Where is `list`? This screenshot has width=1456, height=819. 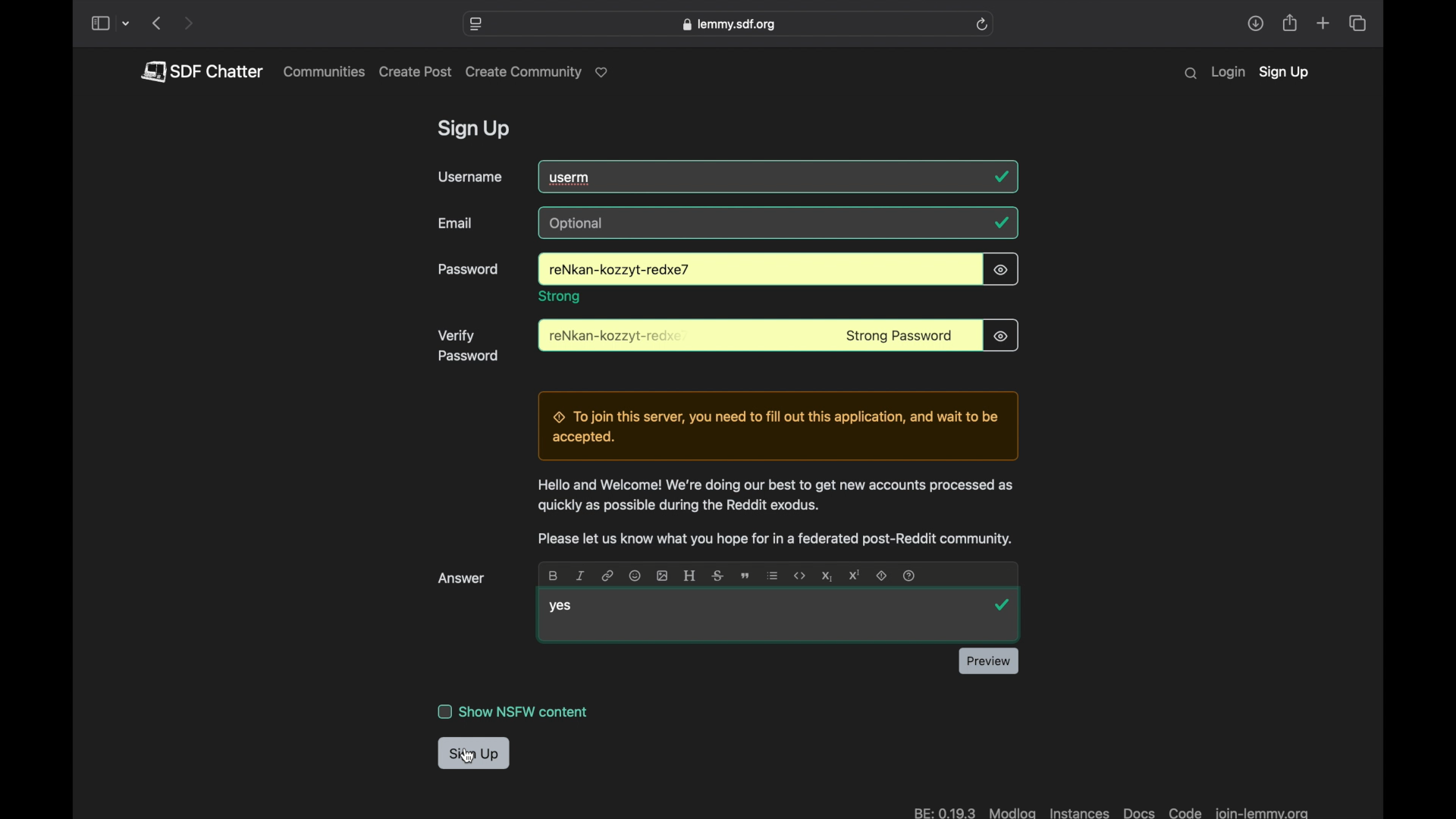
list is located at coordinates (773, 576).